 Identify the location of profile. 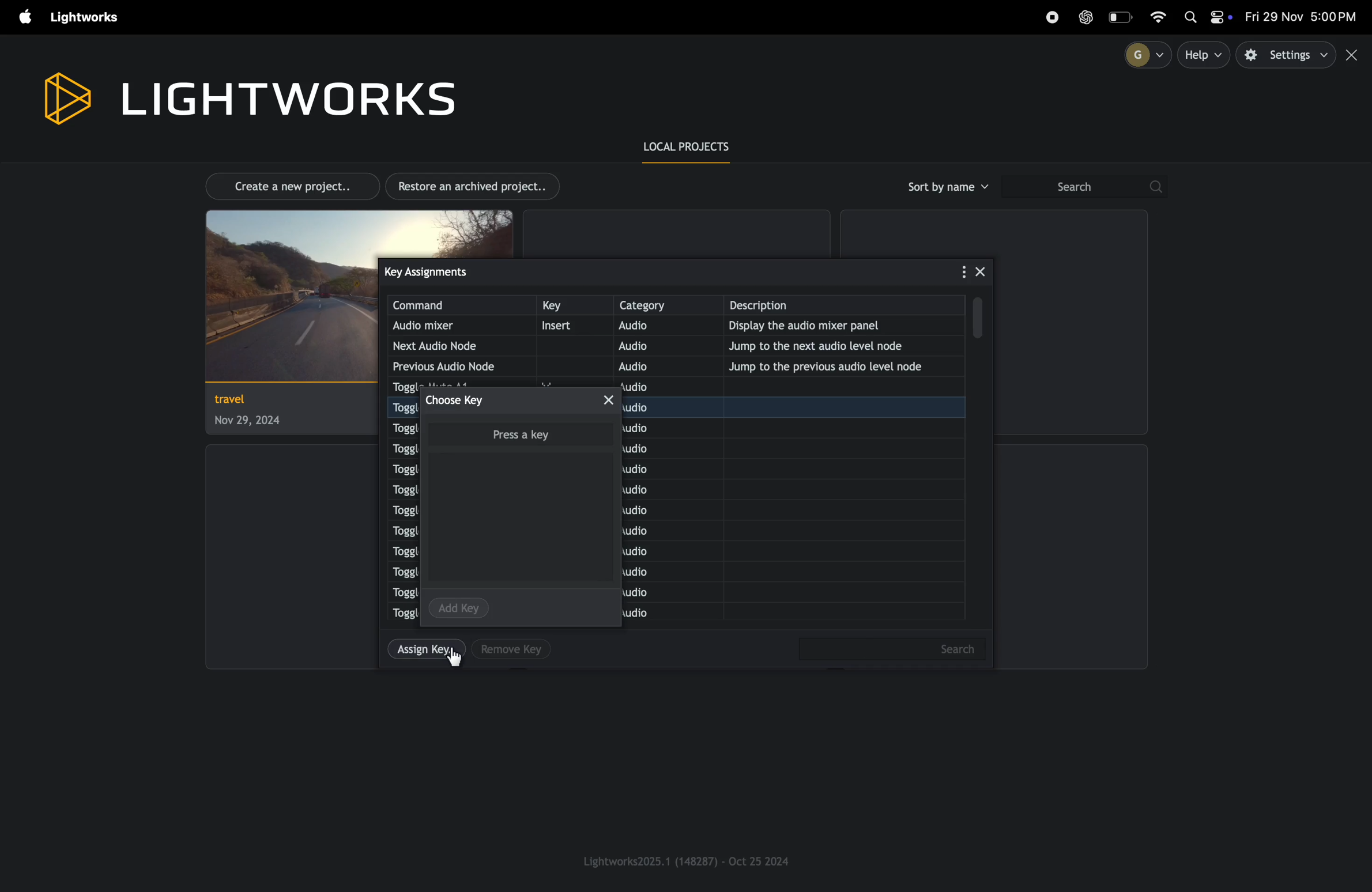
(1143, 54).